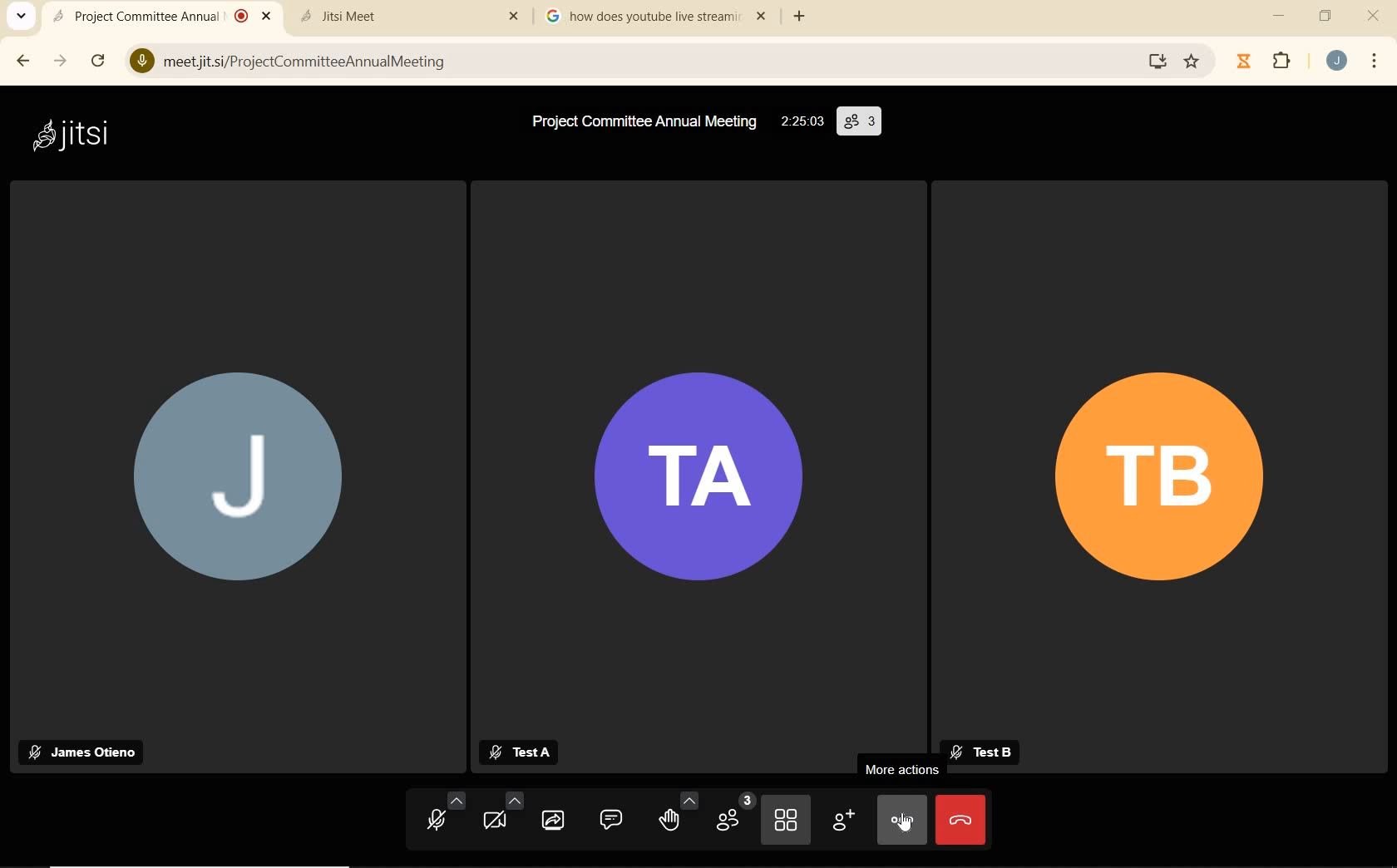  I want to click on leave meeting, so click(960, 820).